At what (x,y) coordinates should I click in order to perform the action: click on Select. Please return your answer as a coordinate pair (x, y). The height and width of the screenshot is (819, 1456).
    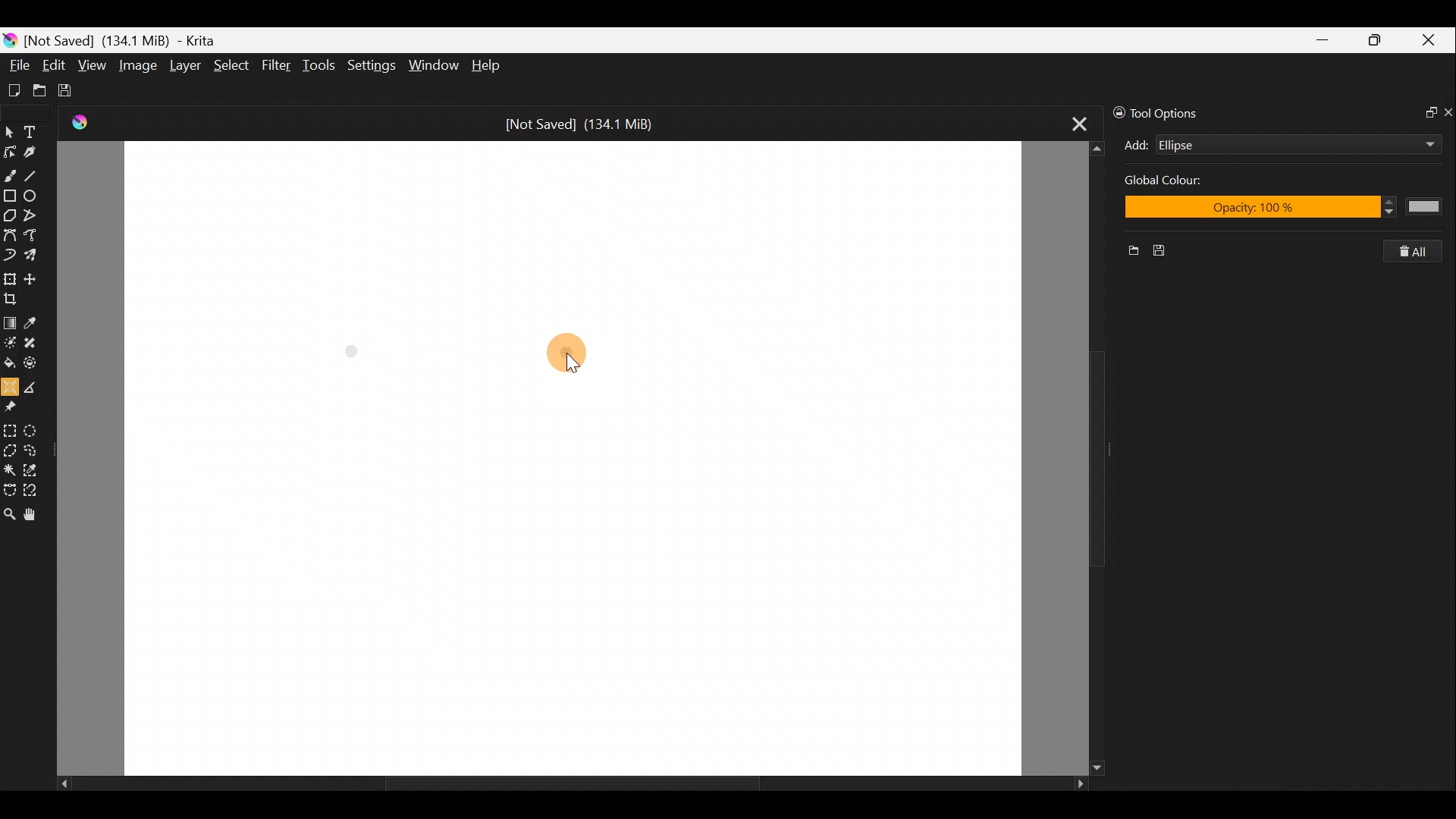
    Looking at the image, I should click on (231, 69).